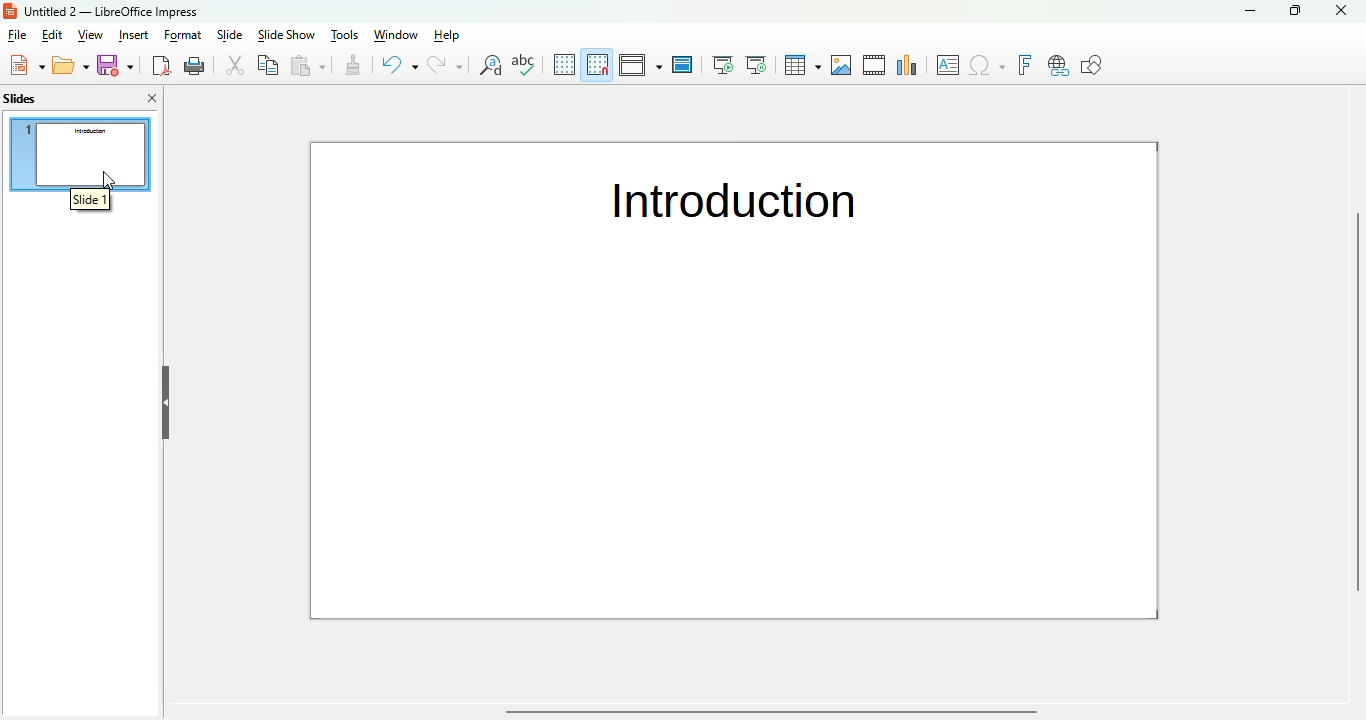  What do you see at coordinates (1059, 66) in the screenshot?
I see `insert hyperlink` at bounding box center [1059, 66].